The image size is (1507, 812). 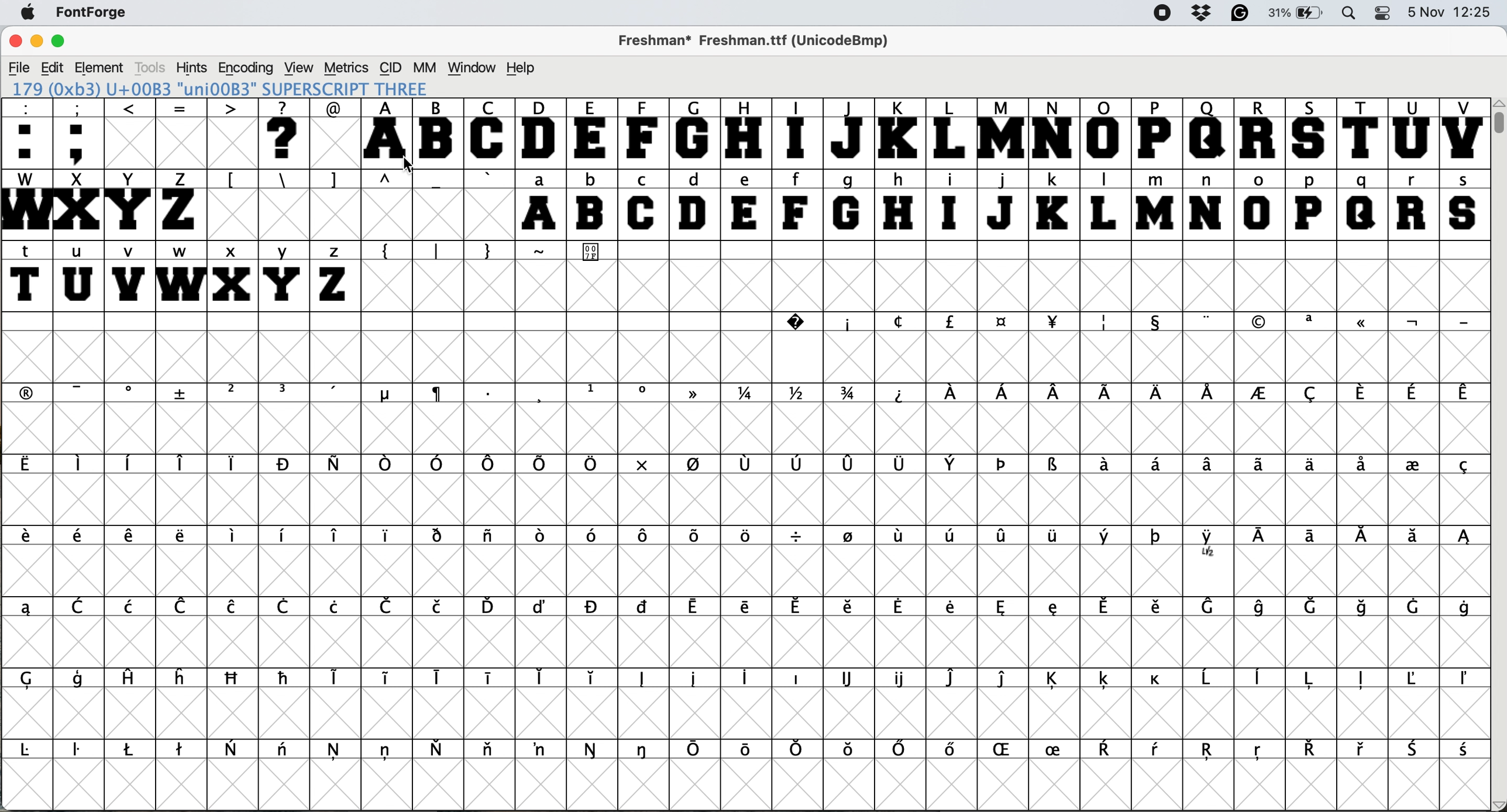 What do you see at coordinates (1261, 132) in the screenshot?
I see `R` at bounding box center [1261, 132].